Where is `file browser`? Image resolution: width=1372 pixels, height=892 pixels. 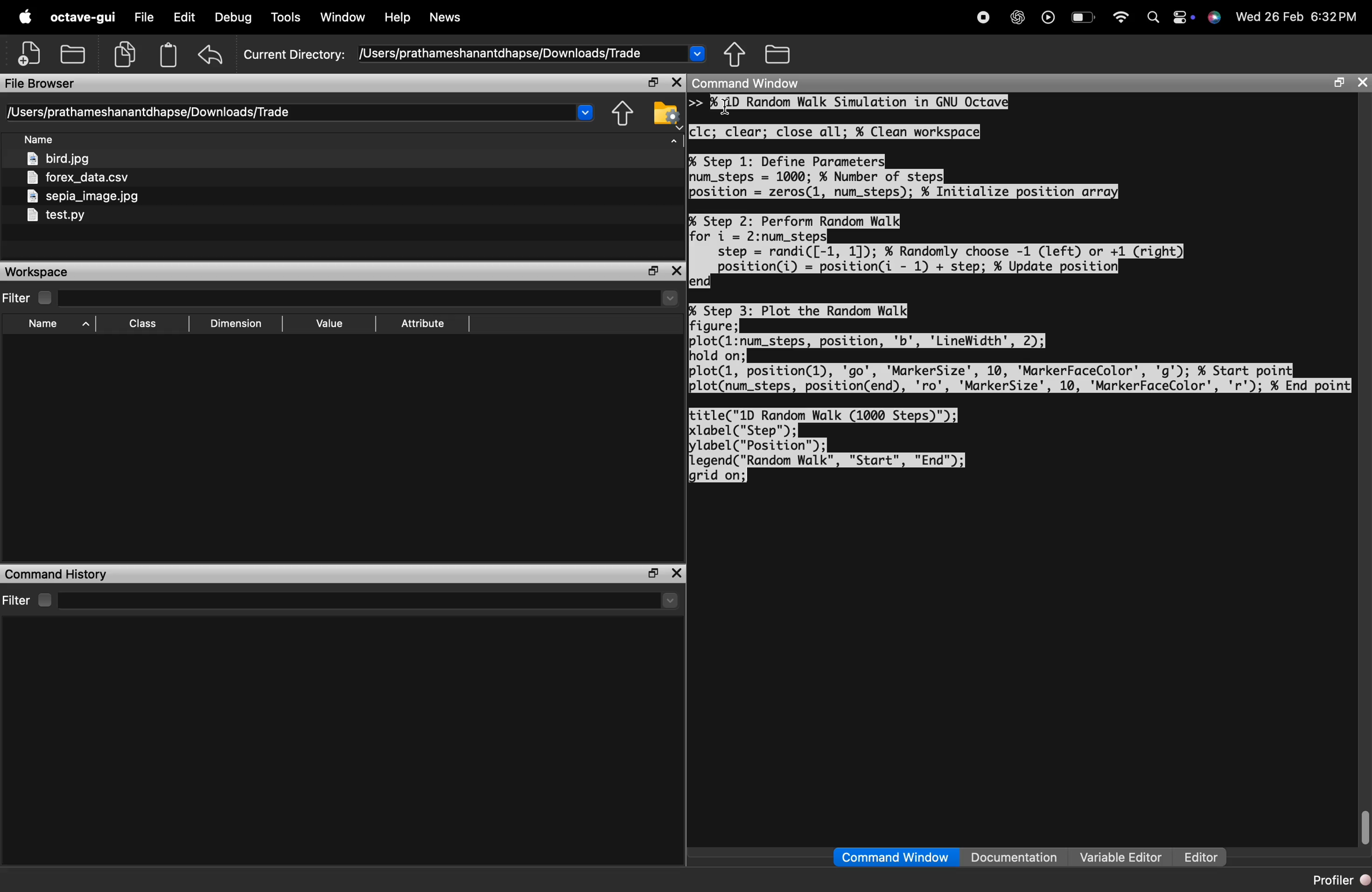 file browser is located at coordinates (41, 84).